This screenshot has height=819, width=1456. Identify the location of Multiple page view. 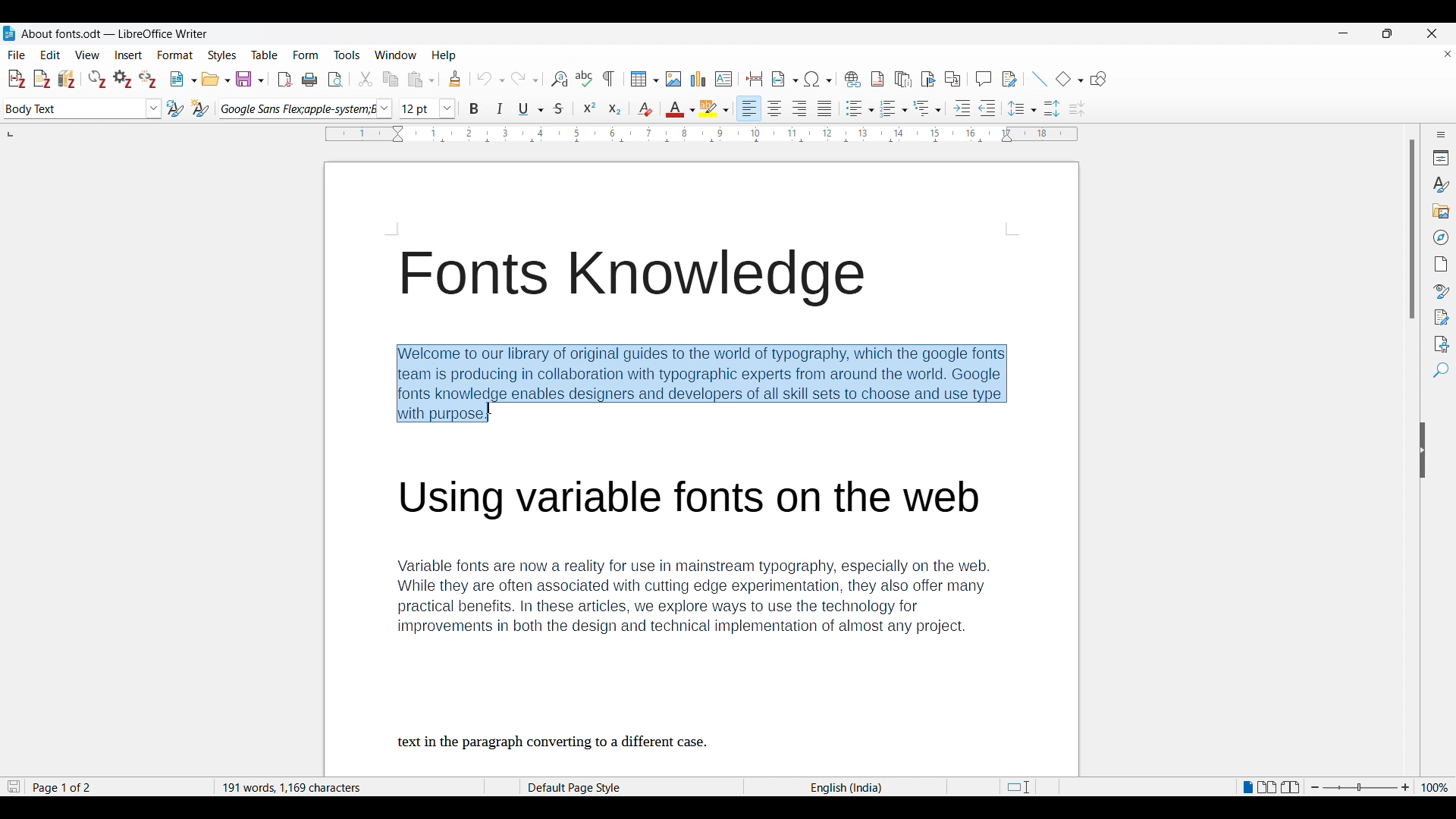
(1268, 787).